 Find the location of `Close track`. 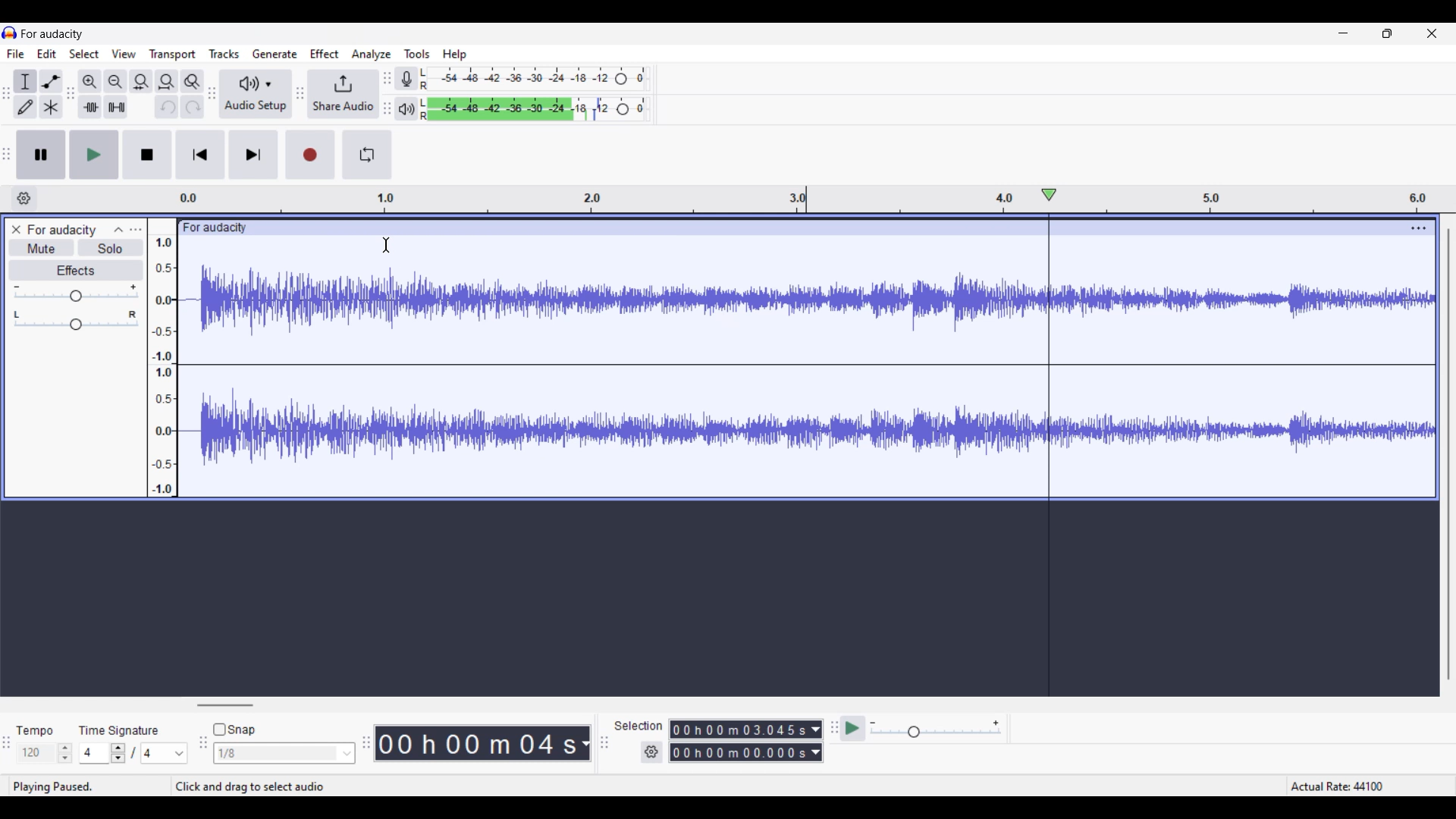

Close track is located at coordinates (16, 230).